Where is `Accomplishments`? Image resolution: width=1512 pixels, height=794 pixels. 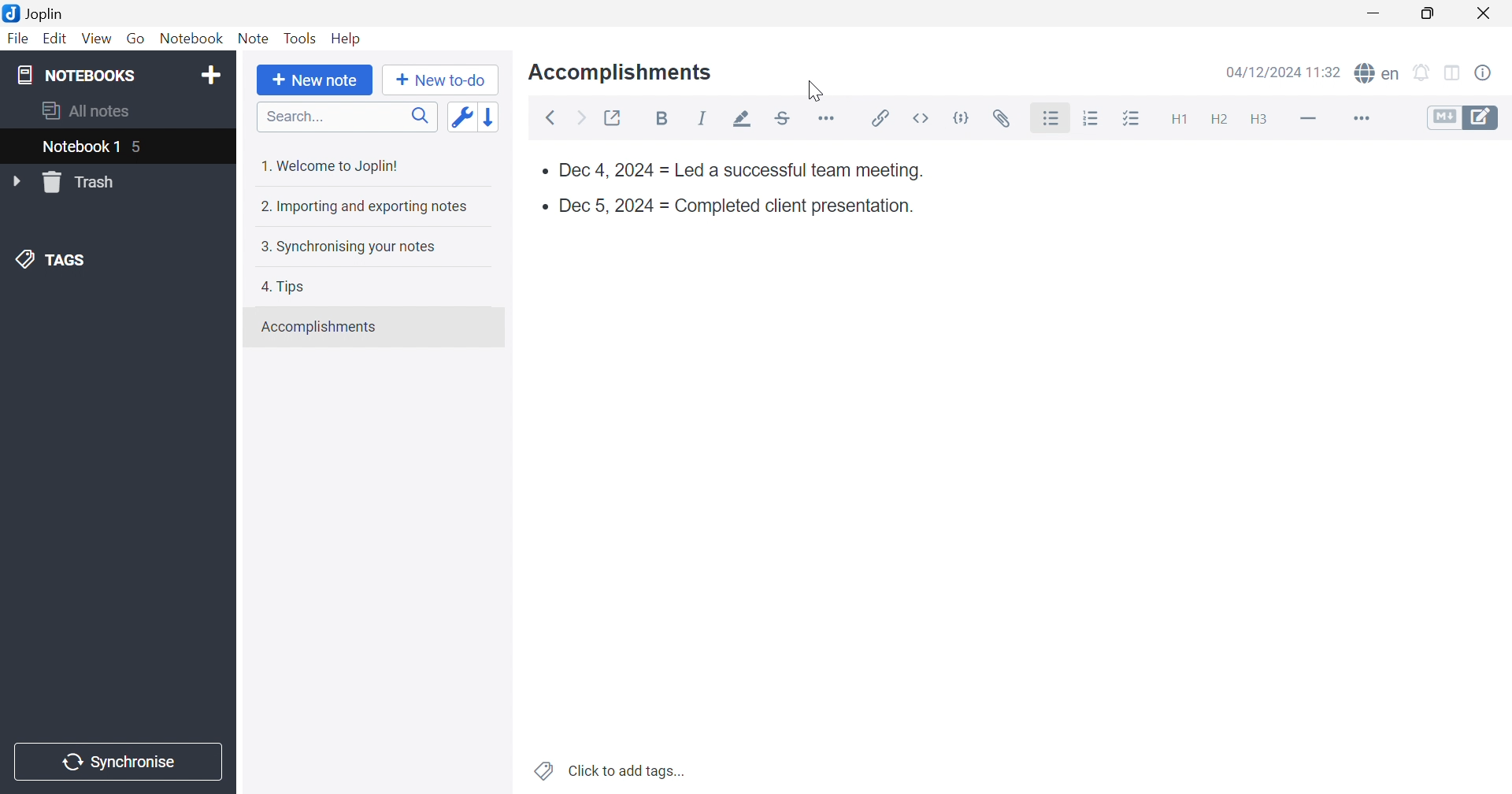
Accomplishments is located at coordinates (321, 327).